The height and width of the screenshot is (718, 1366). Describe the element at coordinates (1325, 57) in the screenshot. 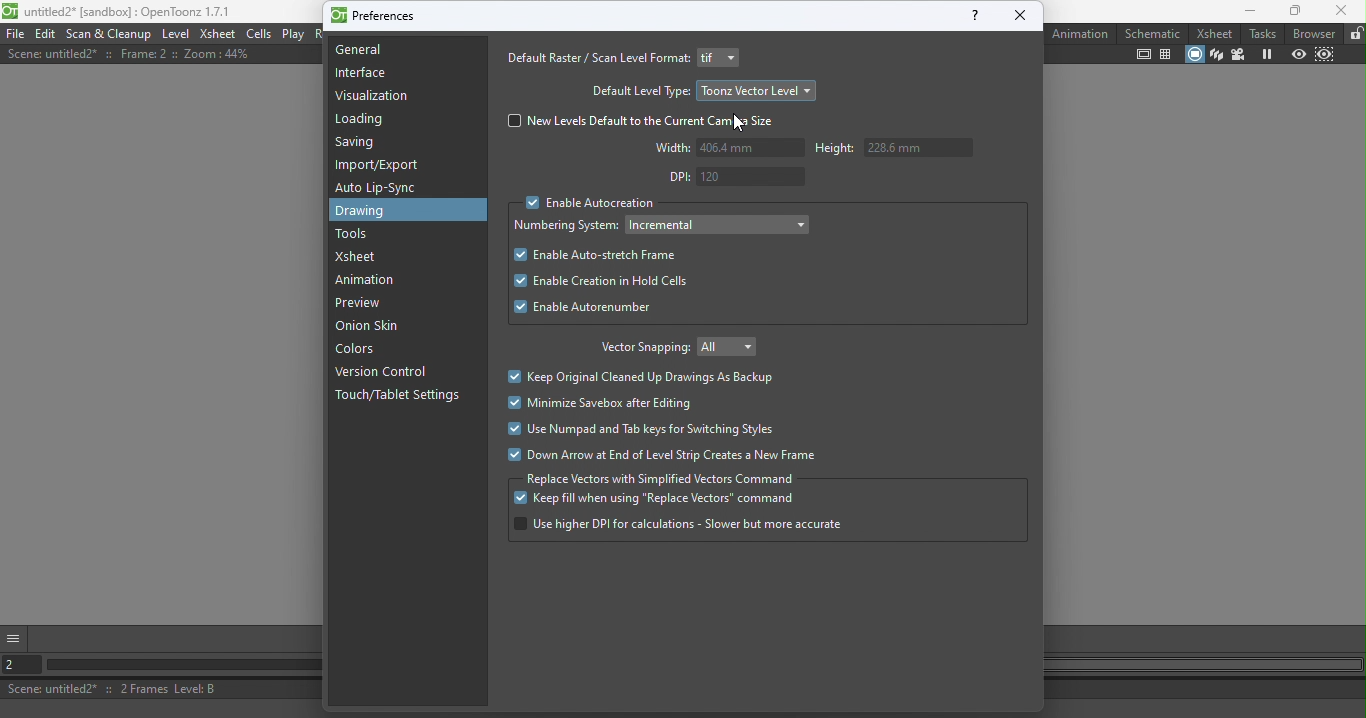

I see `Sub-camera preview` at that location.